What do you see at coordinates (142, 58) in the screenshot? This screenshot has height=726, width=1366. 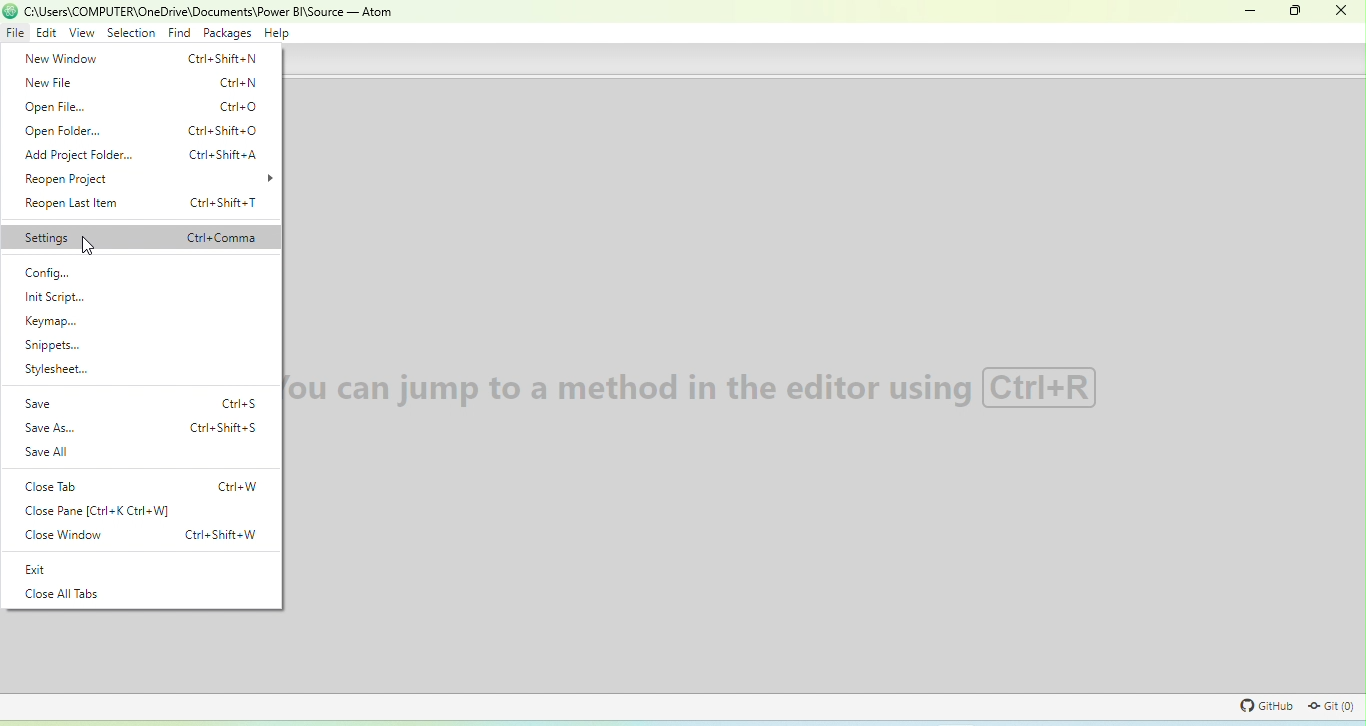 I see `new window` at bounding box center [142, 58].